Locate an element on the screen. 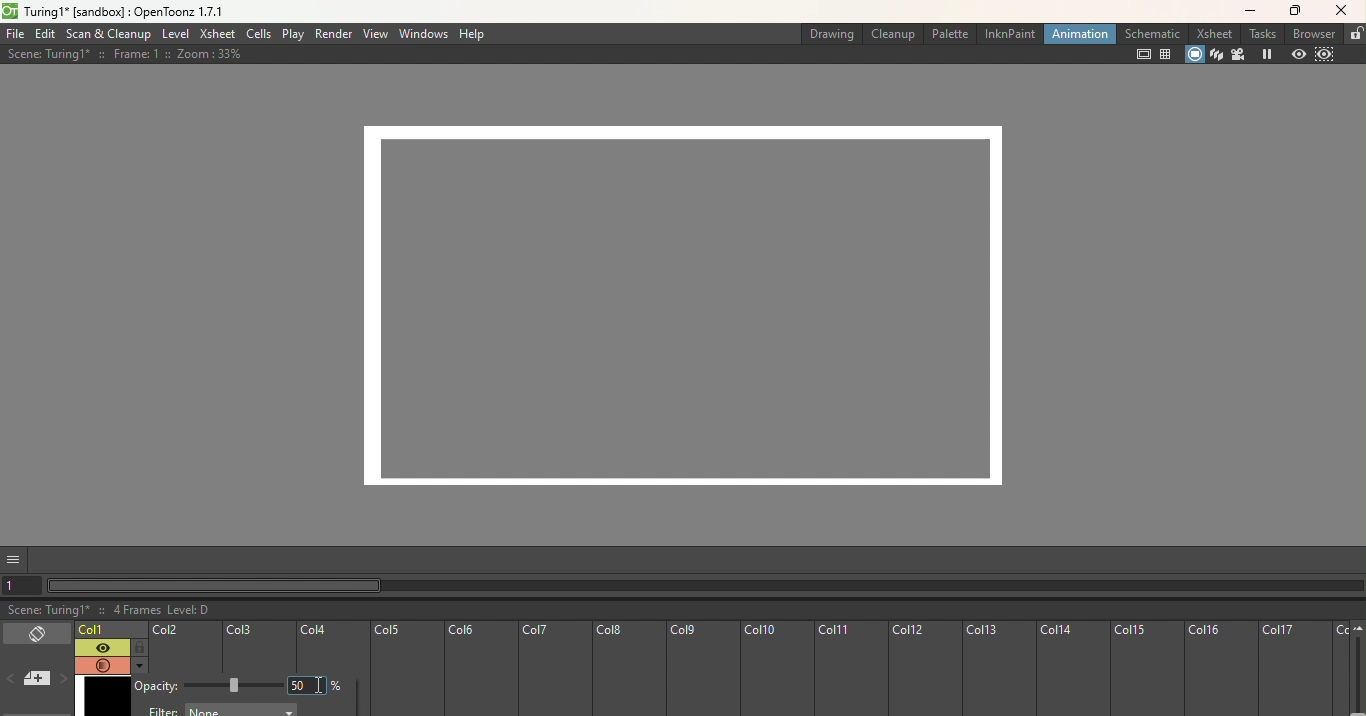 The height and width of the screenshot is (716, 1366). Animation is located at coordinates (1075, 34).